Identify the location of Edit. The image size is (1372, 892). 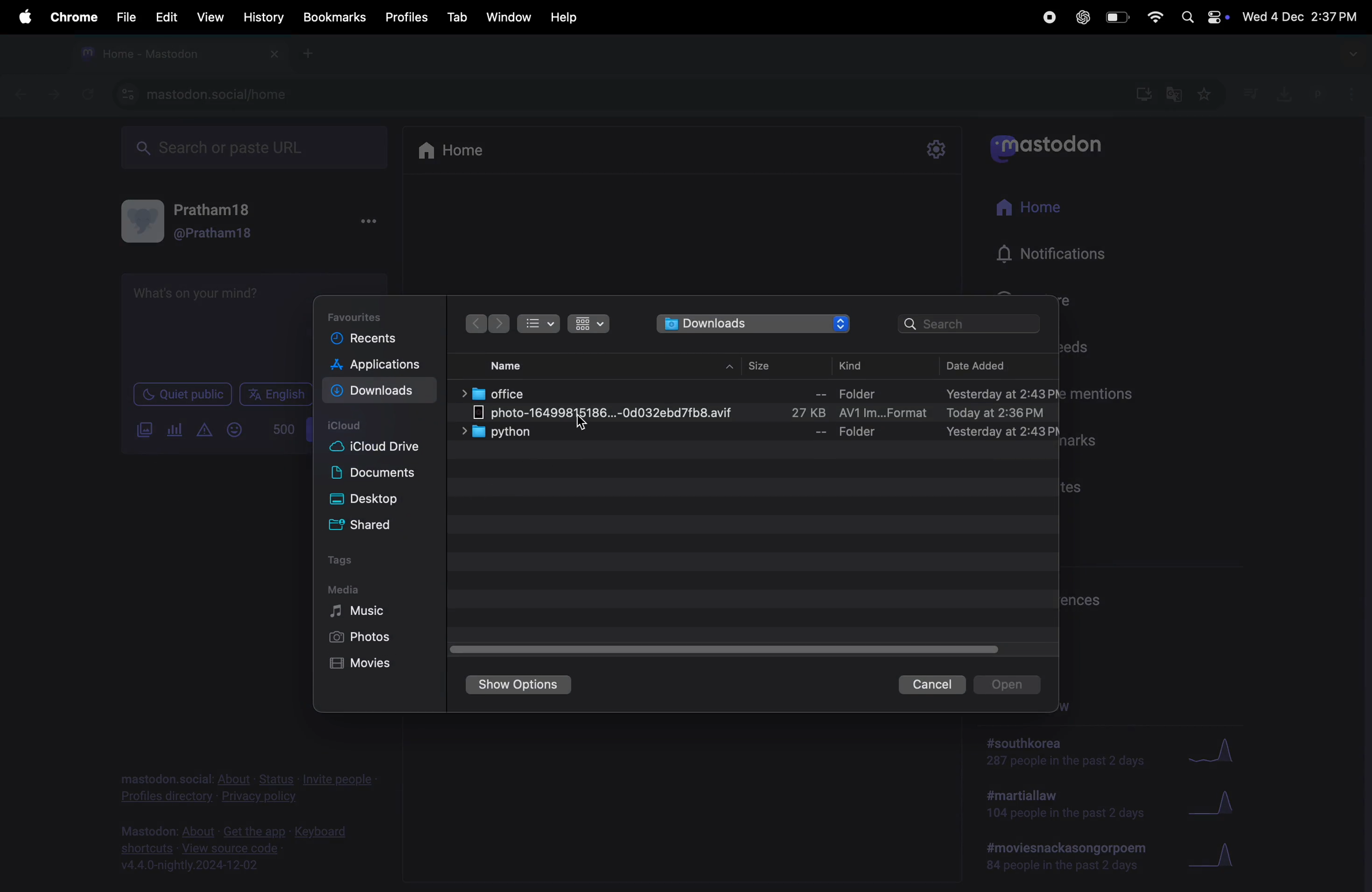
(163, 16).